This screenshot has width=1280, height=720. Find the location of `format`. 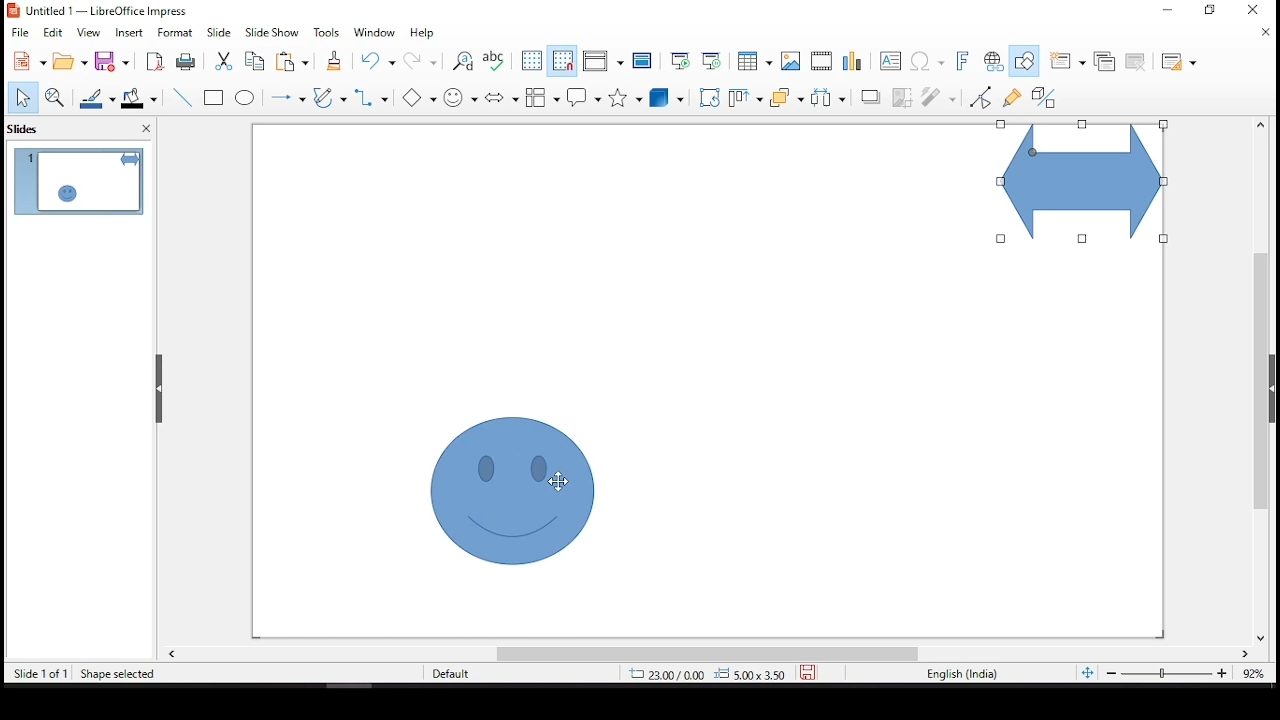

format is located at coordinates (176, 32).